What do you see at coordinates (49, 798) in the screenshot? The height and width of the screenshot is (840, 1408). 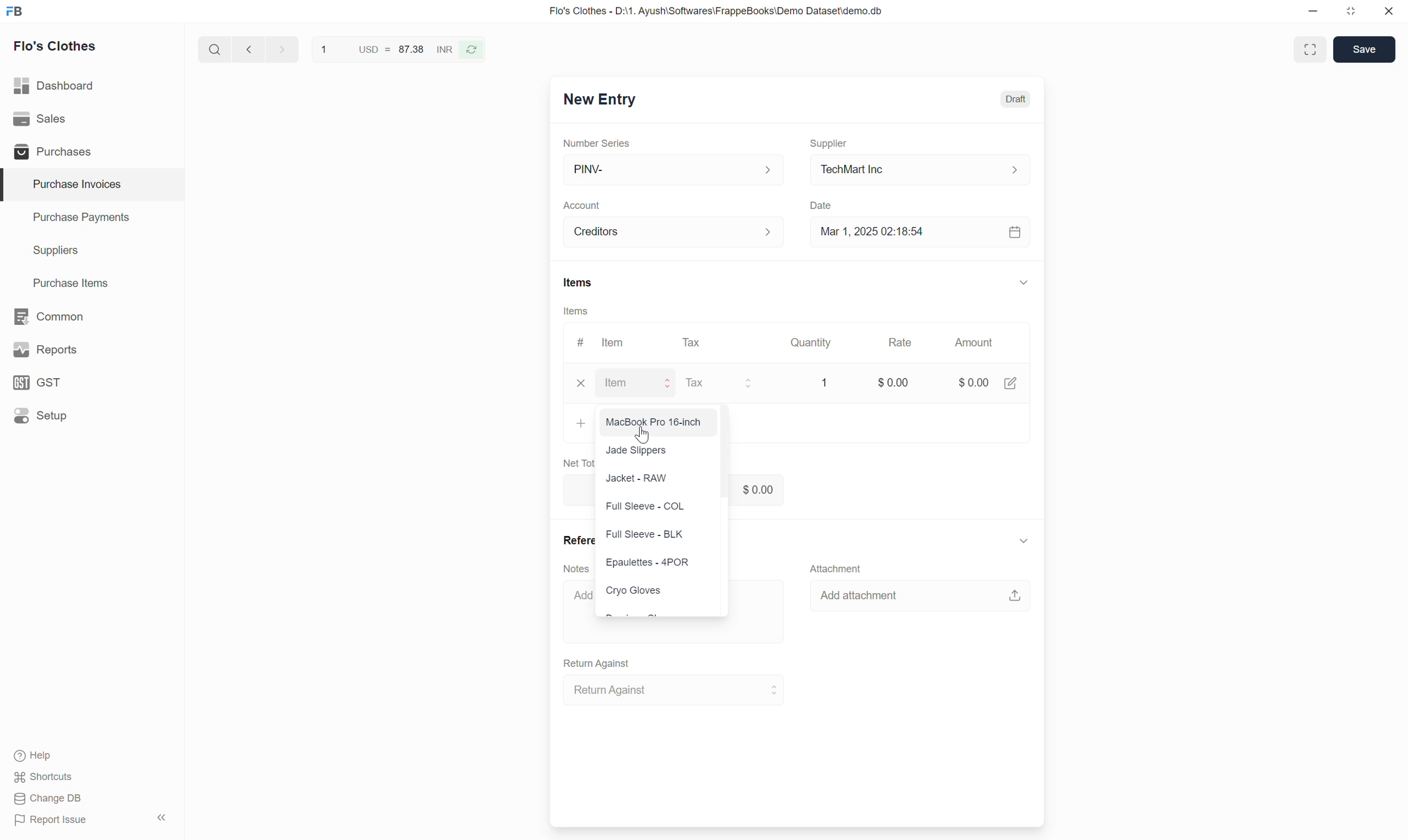 I see `Change DB` at bounding box center [49, 798].